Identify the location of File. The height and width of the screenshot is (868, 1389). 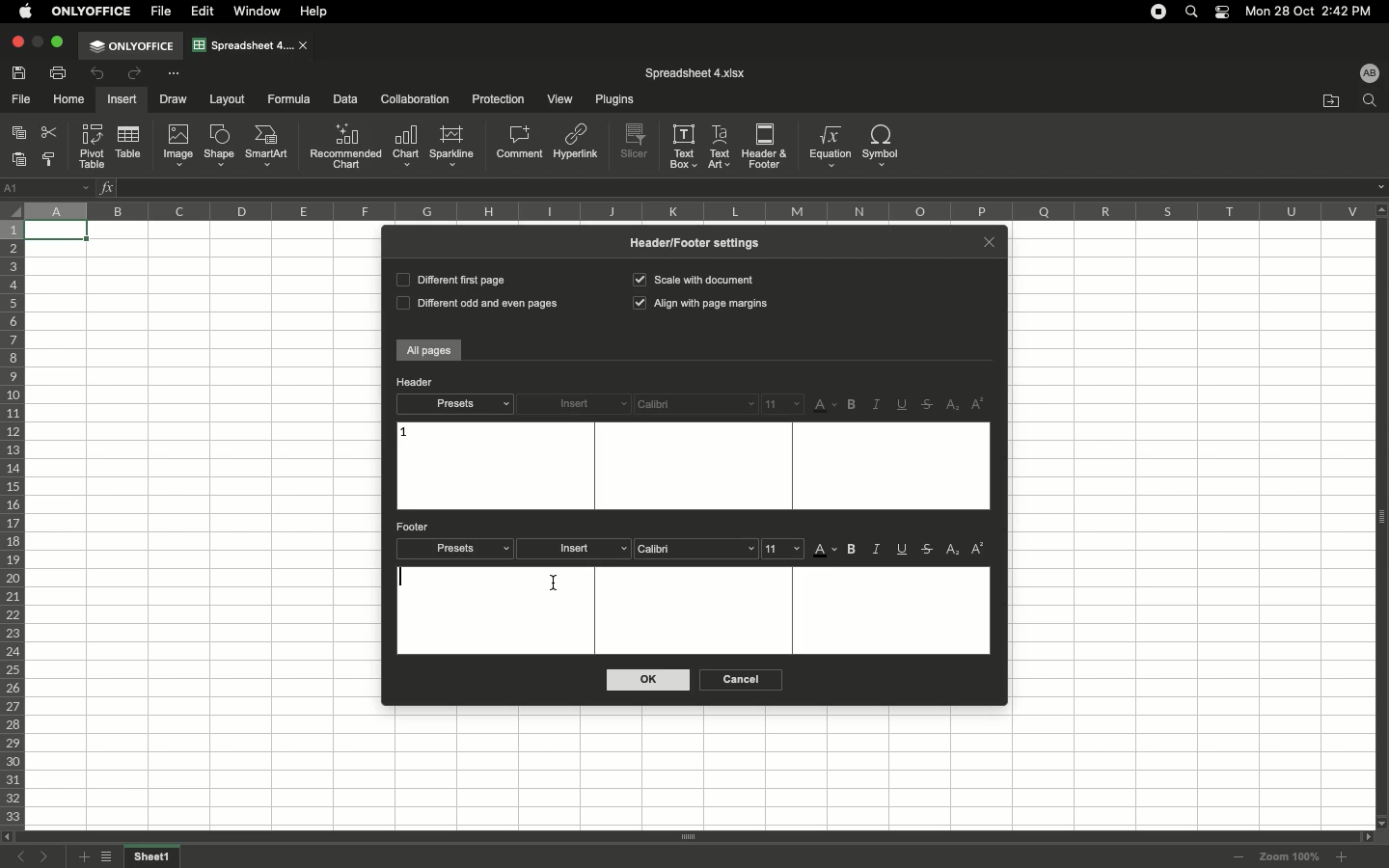
(22, 100).